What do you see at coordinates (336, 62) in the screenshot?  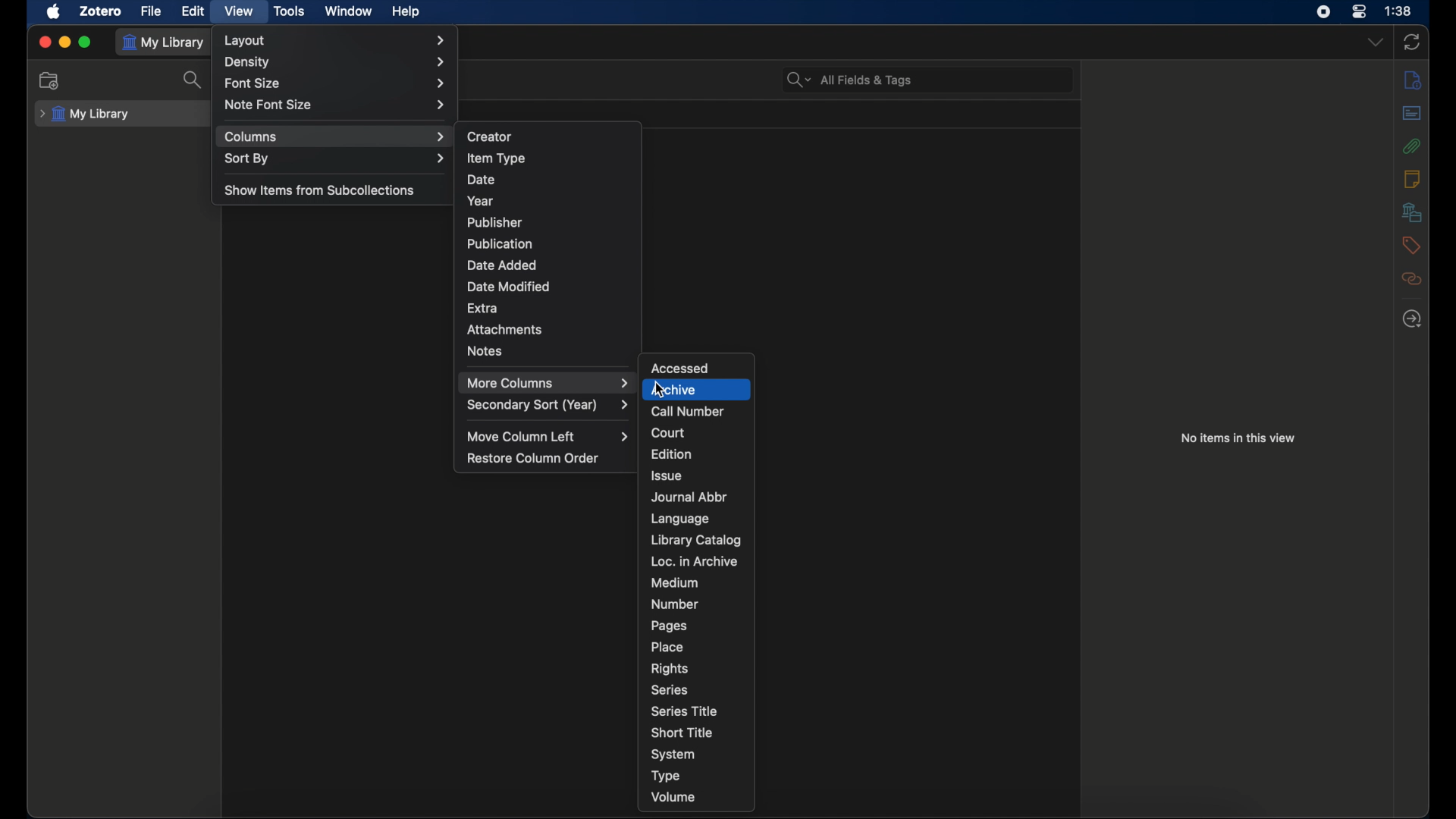 I see `density` at bounding box center [336, 62].